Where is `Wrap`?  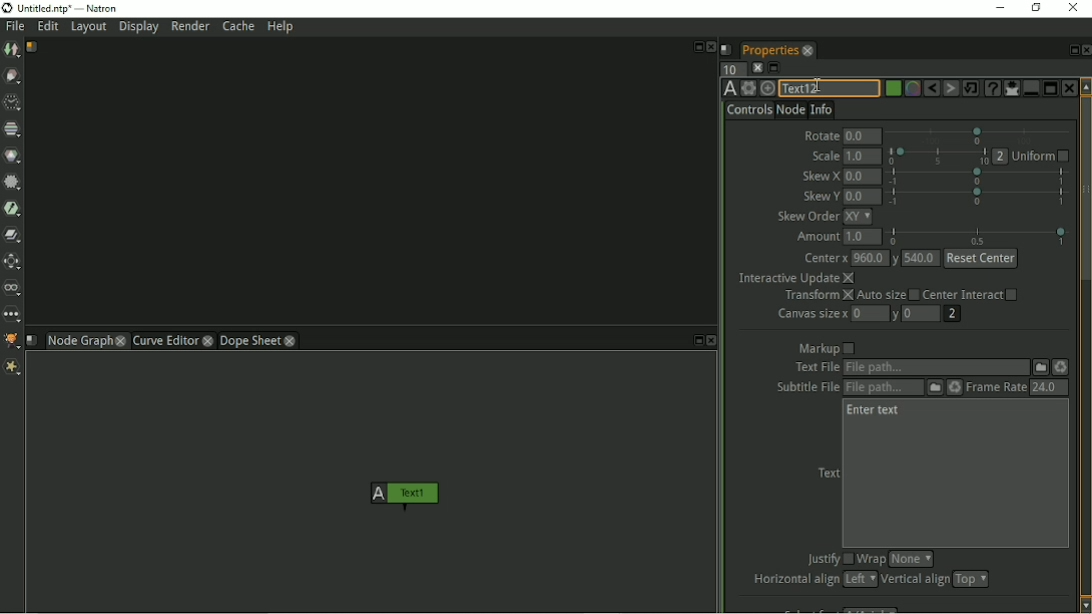 Wrap is located at coordinates (871, 559).